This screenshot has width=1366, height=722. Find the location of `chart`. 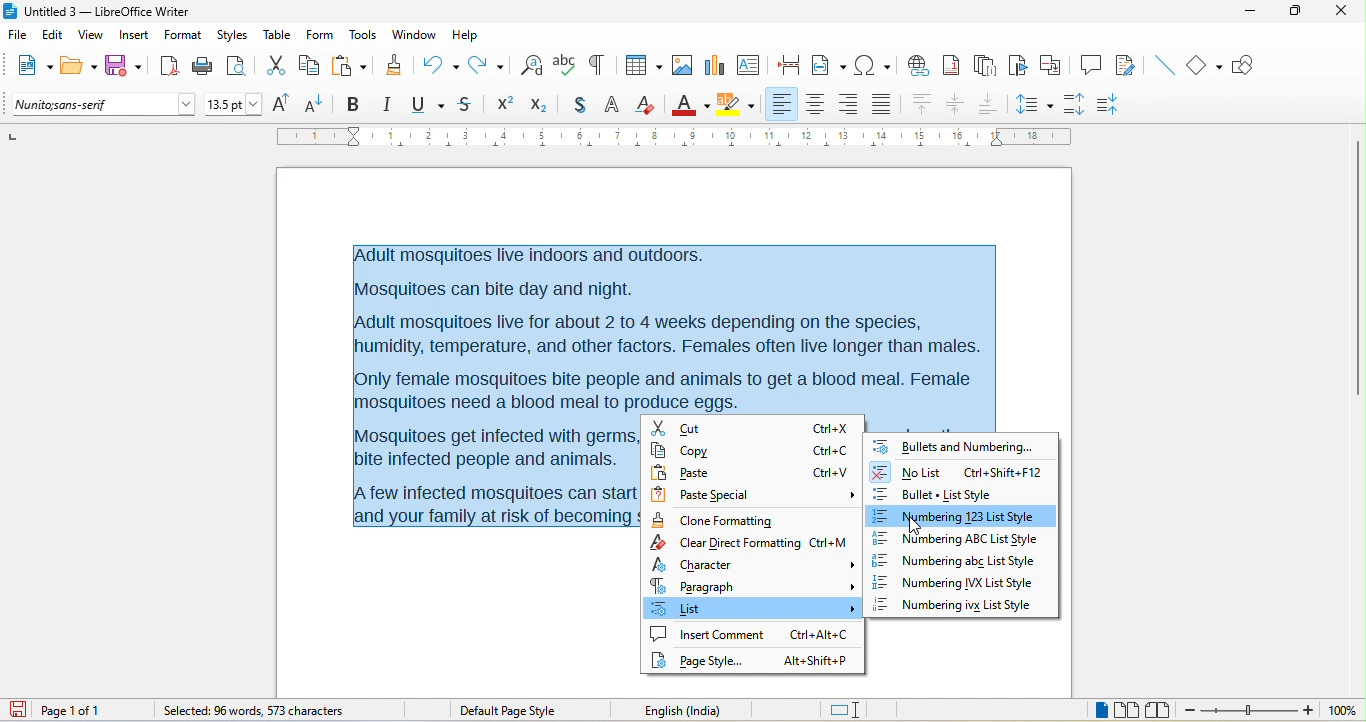

chart is located at coordinates (715, 66).